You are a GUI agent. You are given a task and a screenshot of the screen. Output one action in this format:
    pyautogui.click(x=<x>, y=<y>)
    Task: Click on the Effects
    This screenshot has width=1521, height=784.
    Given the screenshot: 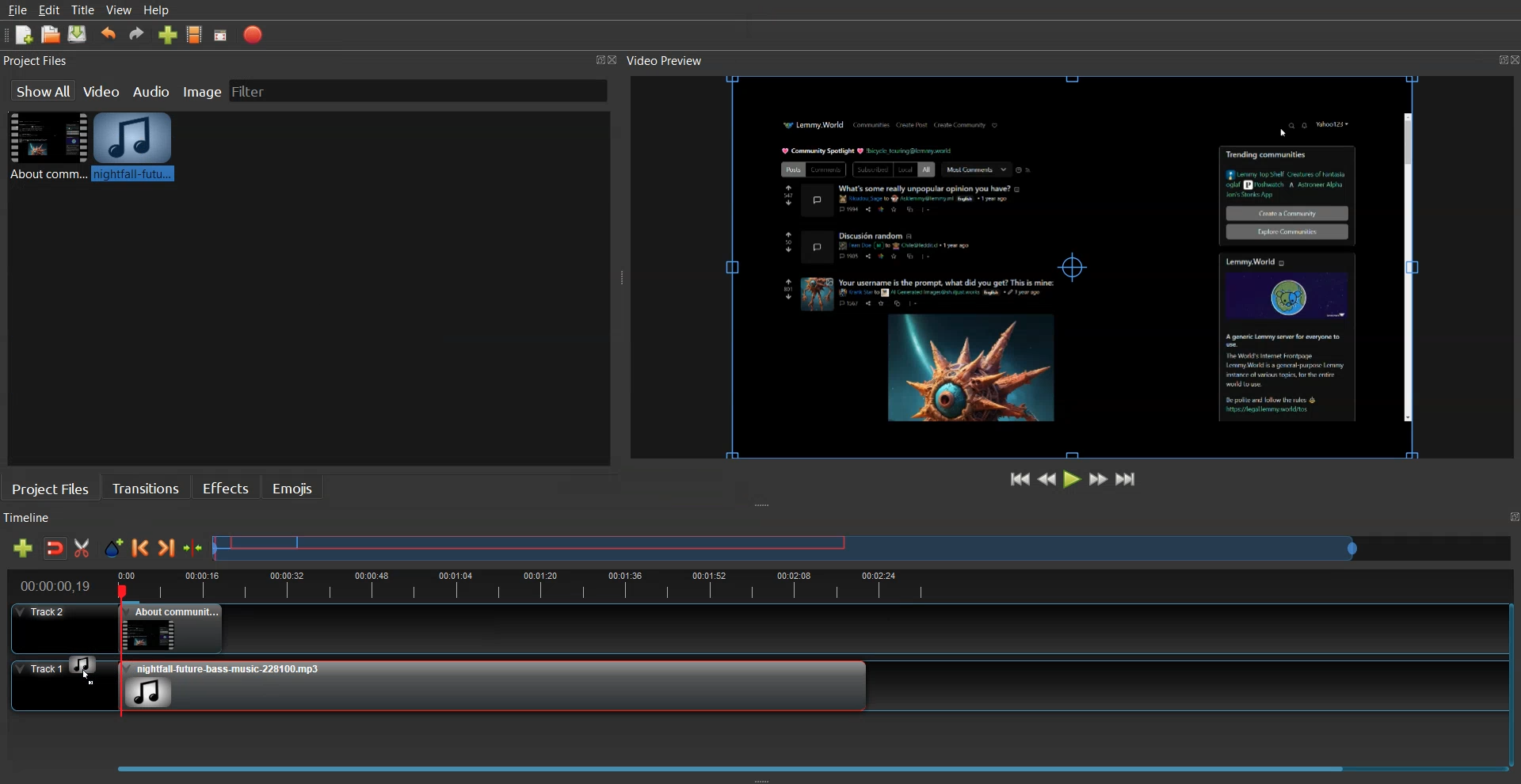 What is the action you would take?
    pyautogui.click(x=225, y=486)
    